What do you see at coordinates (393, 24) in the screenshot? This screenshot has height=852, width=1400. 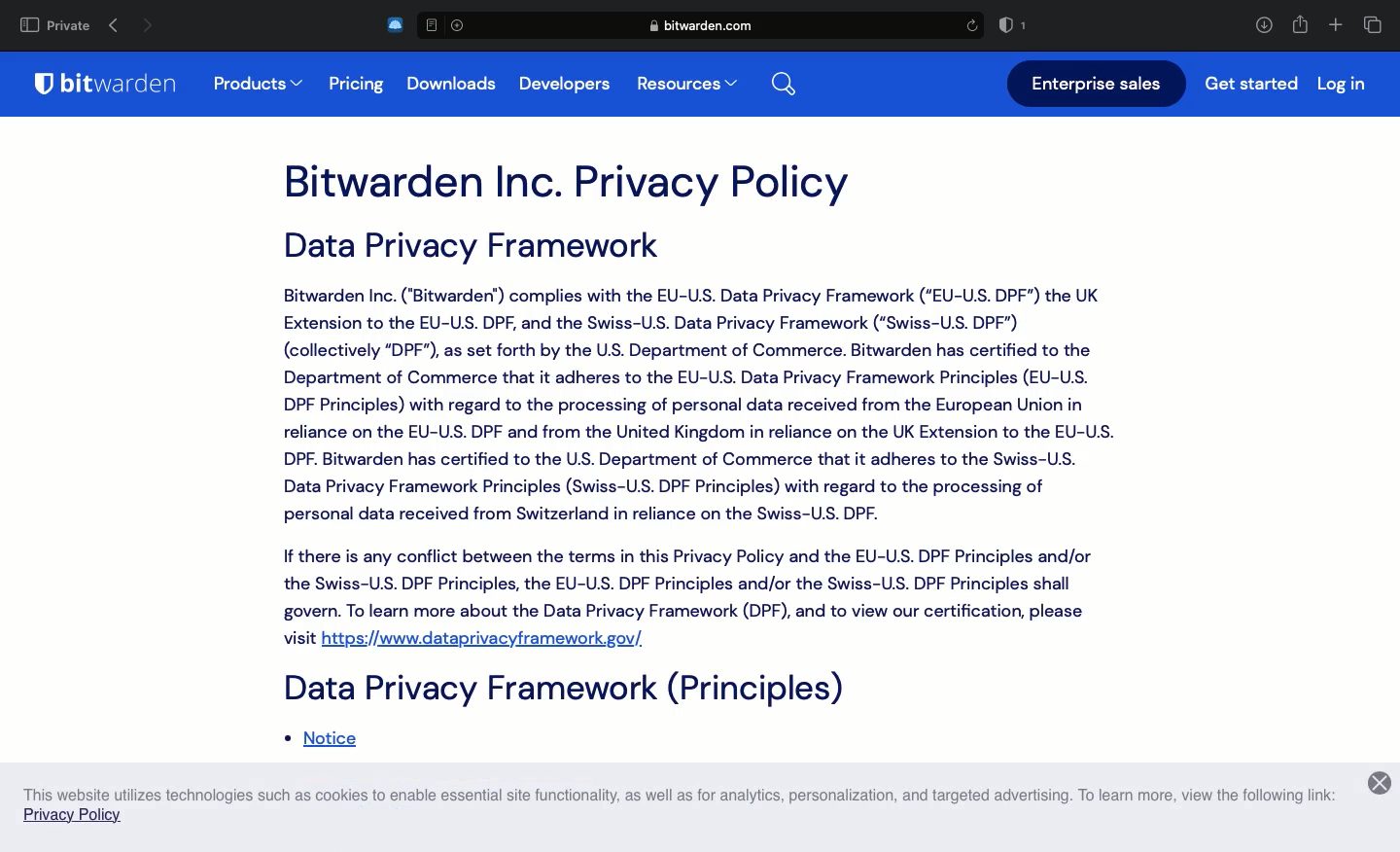 I see `extension` at bounding box center [393, 24].